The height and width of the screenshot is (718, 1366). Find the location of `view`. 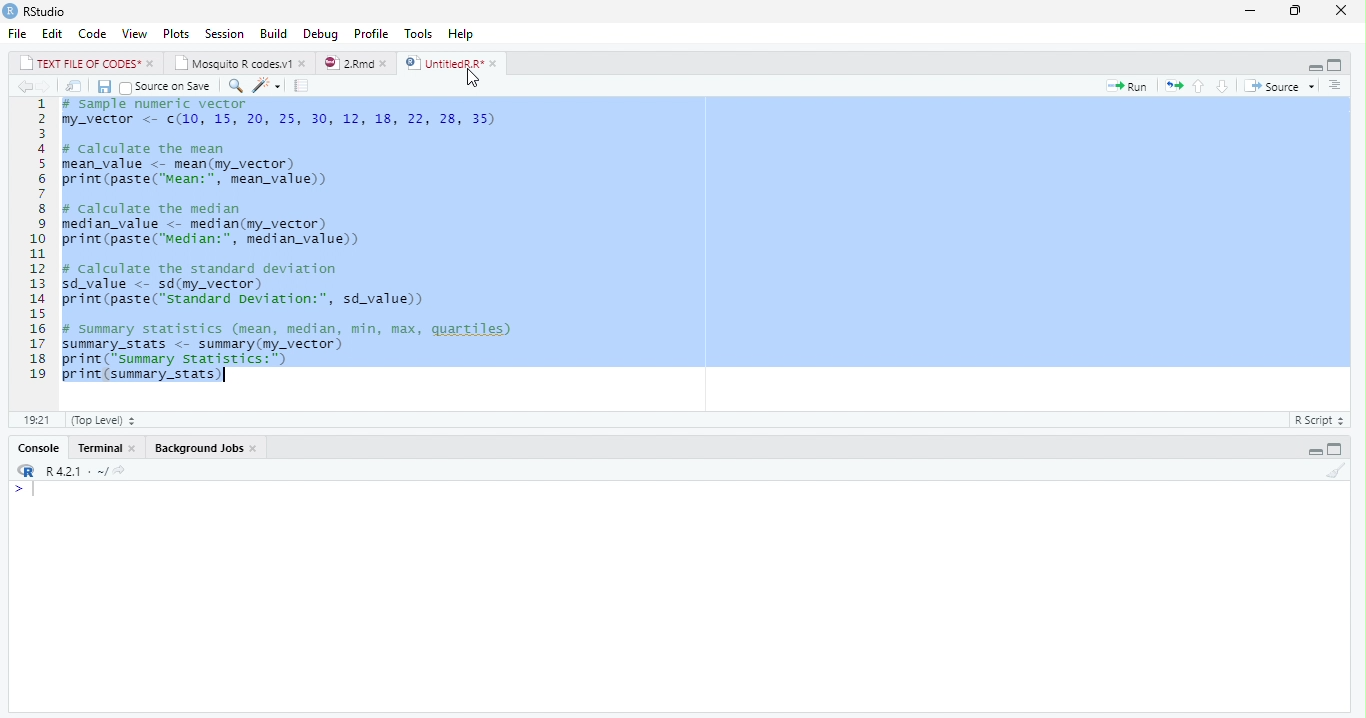

view is located at coordinates (135, 34).